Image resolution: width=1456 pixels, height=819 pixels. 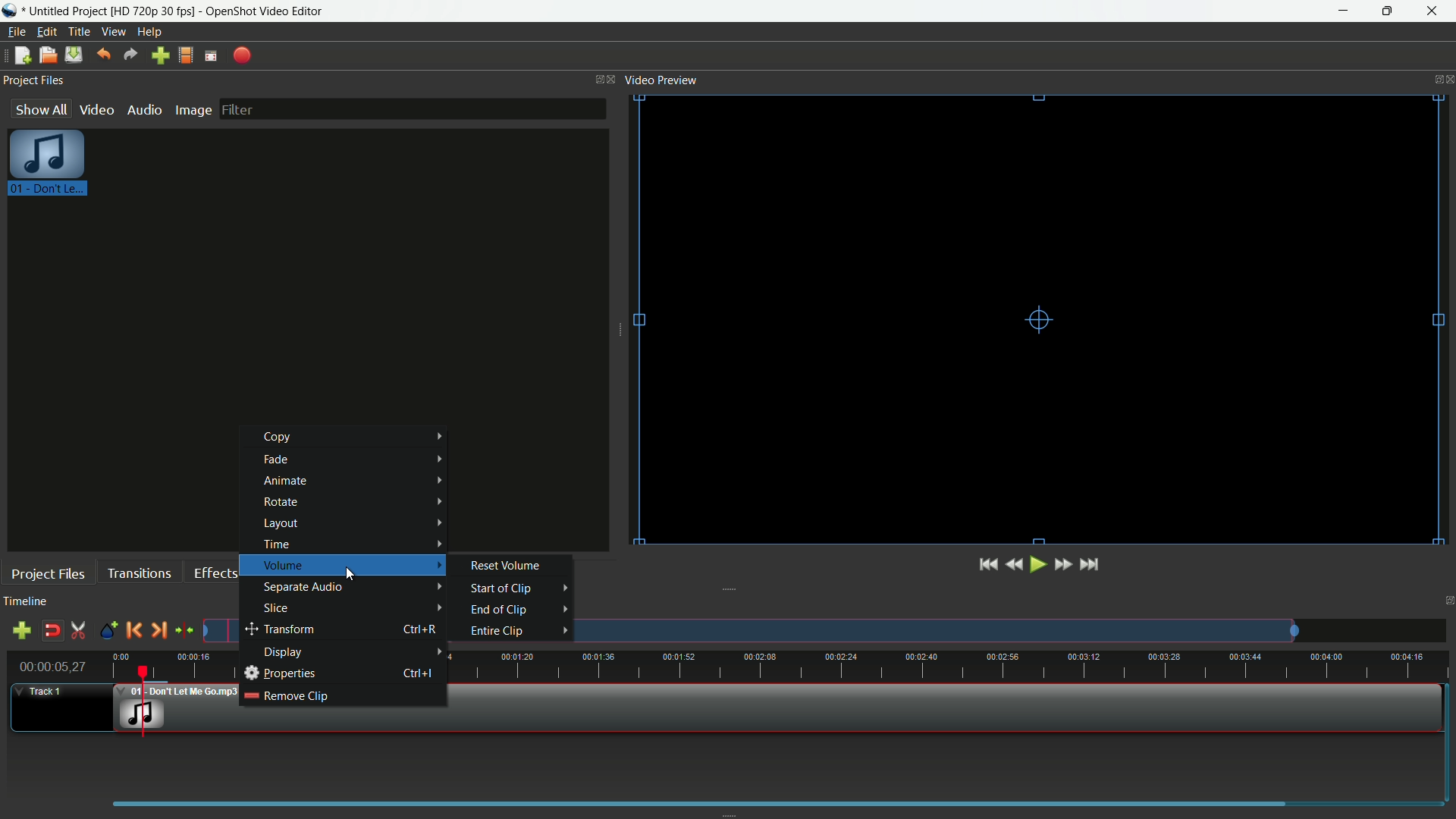 I want to click on video preview, so click(x=661, y=80).